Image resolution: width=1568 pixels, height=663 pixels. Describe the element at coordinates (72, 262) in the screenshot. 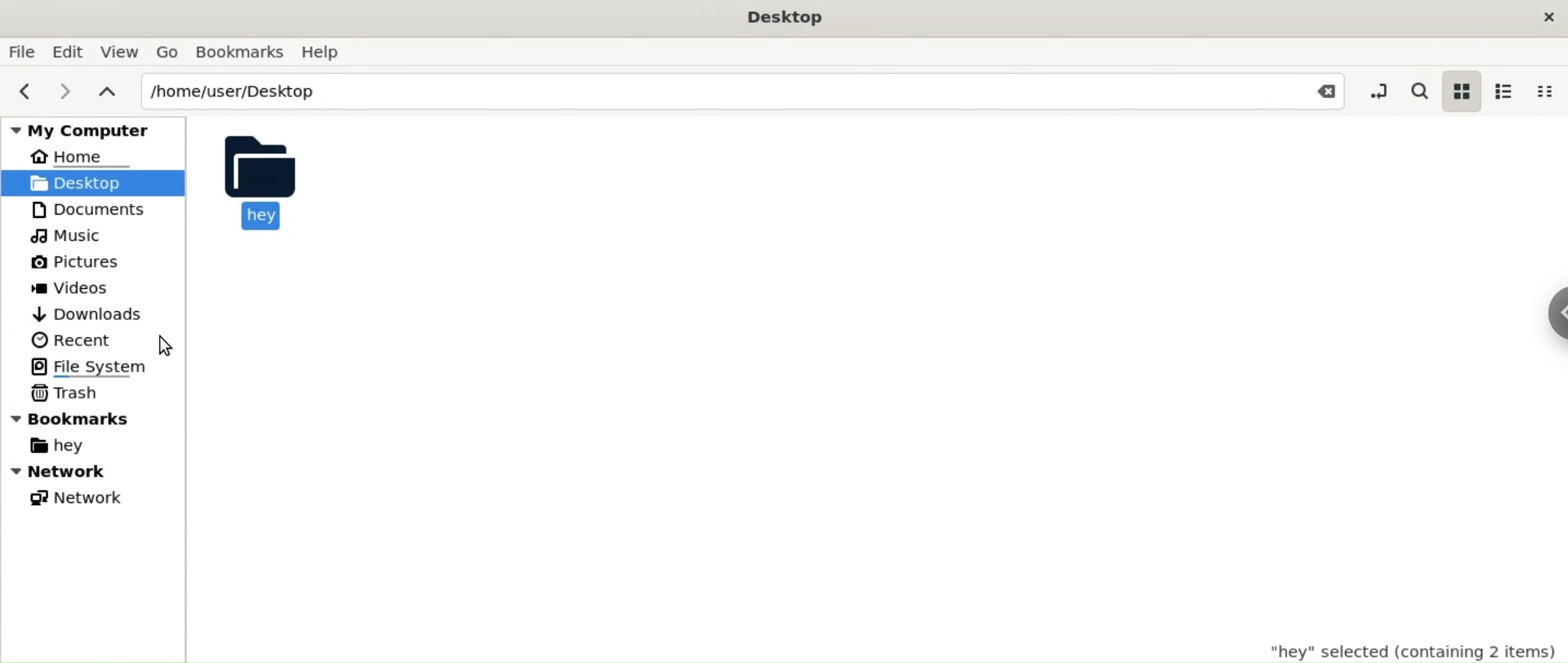

I see `Pictures` at that location.